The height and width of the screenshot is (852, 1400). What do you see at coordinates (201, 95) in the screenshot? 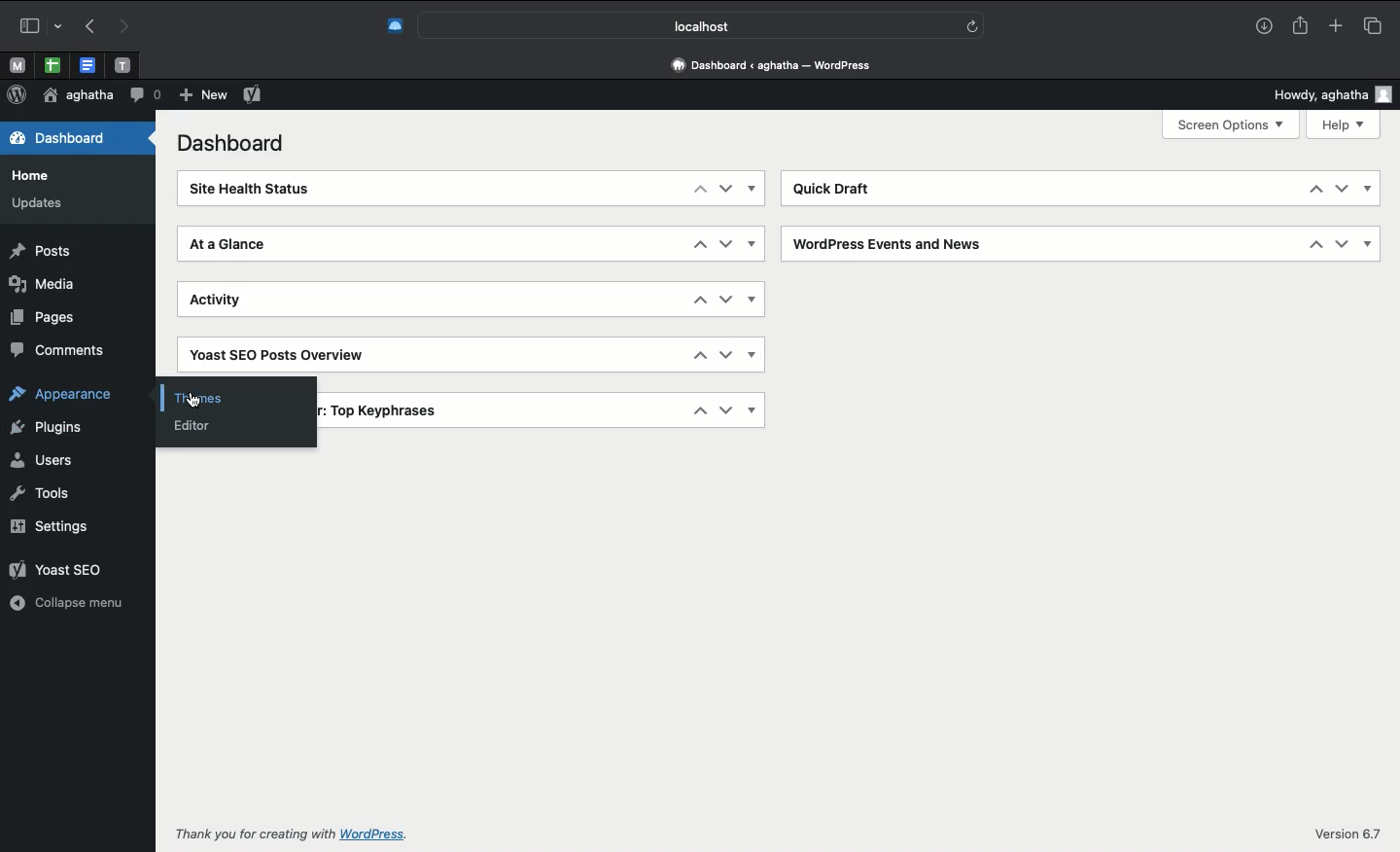
I see `New` at bounding box center [201, 95].